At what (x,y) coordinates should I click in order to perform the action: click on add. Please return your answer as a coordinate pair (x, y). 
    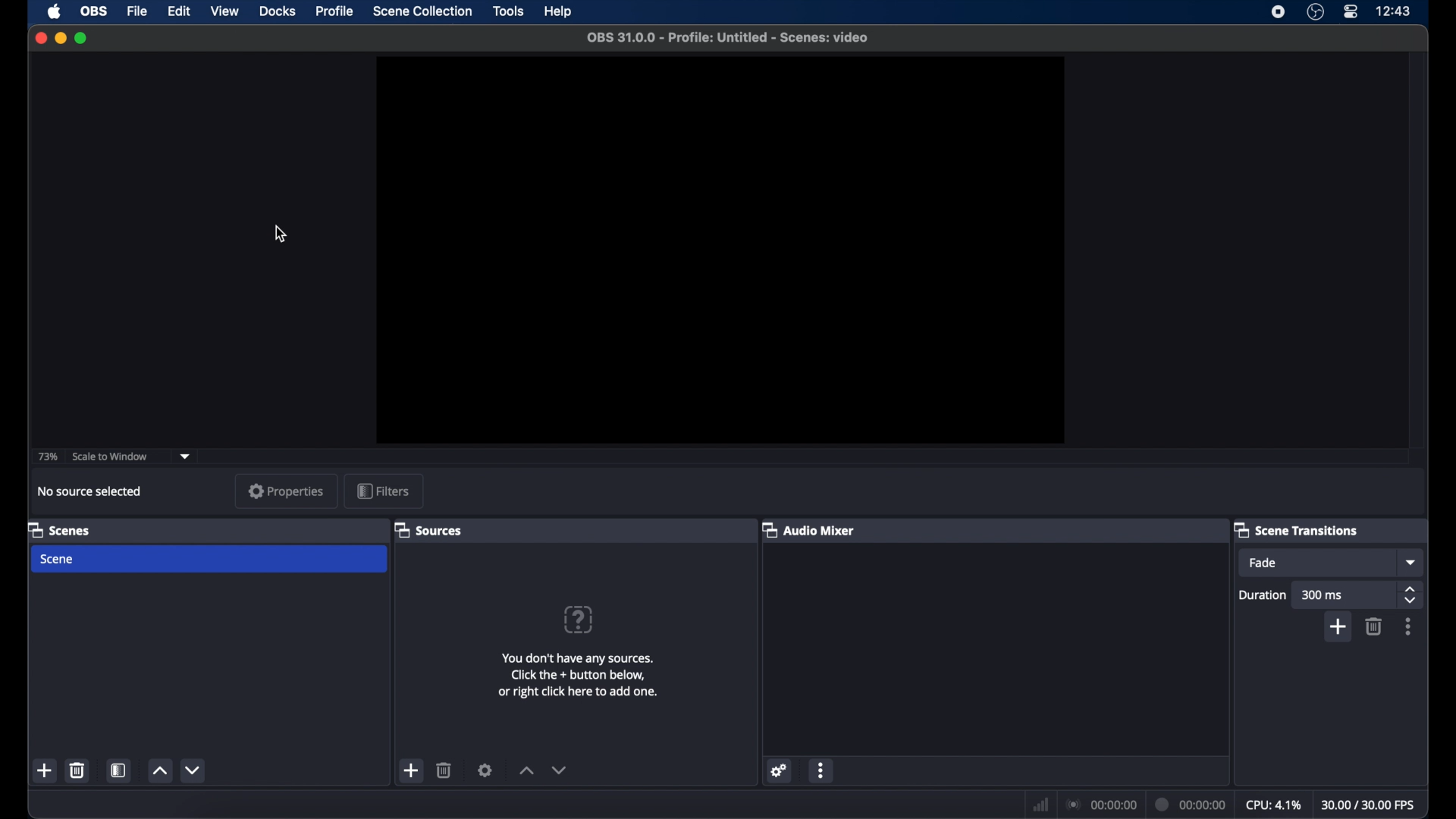
    Looking at the image, I should click on (45, 770).